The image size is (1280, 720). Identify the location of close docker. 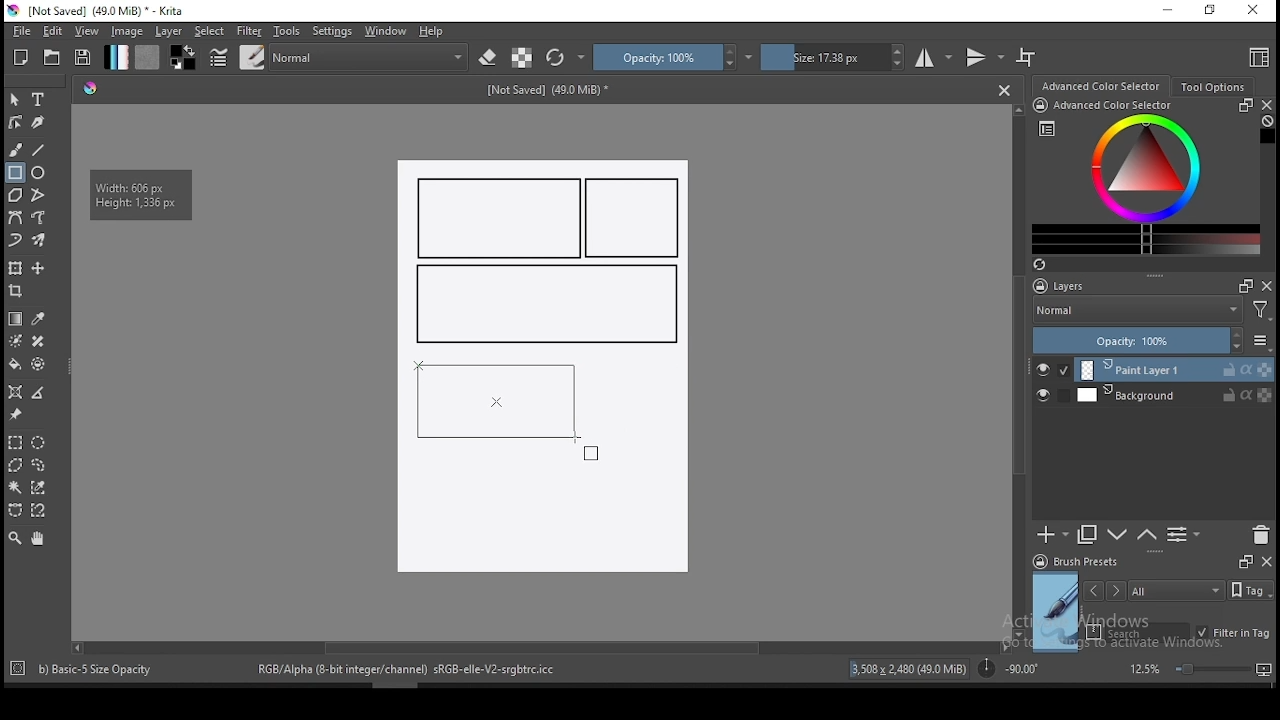
(1267, 285).